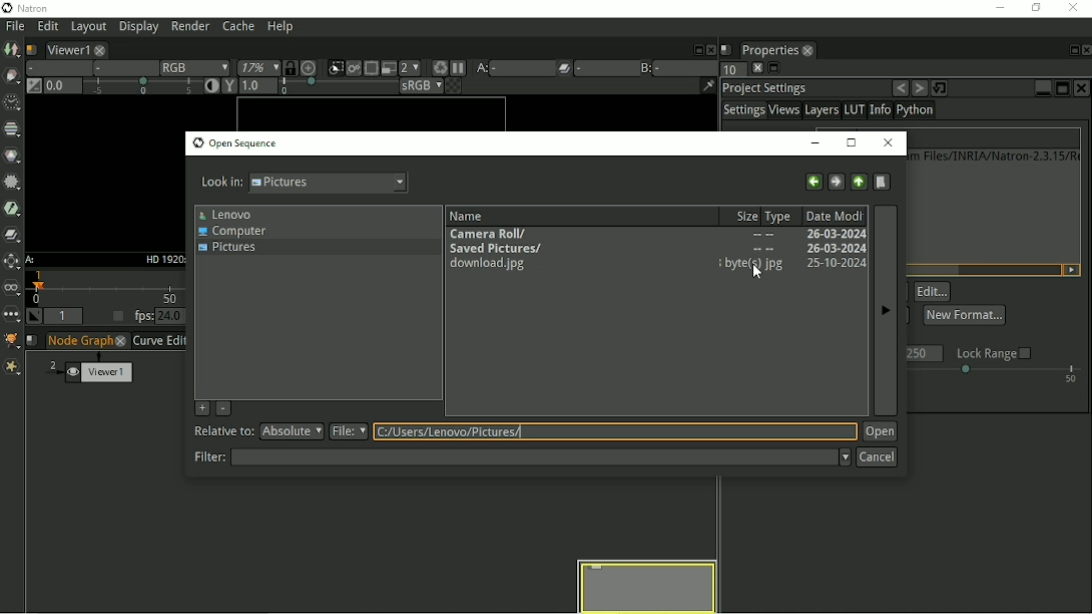  What do you see at coordinates (743, 215) in the screenshot?
I see `Size` at bounding box center [743, 215].